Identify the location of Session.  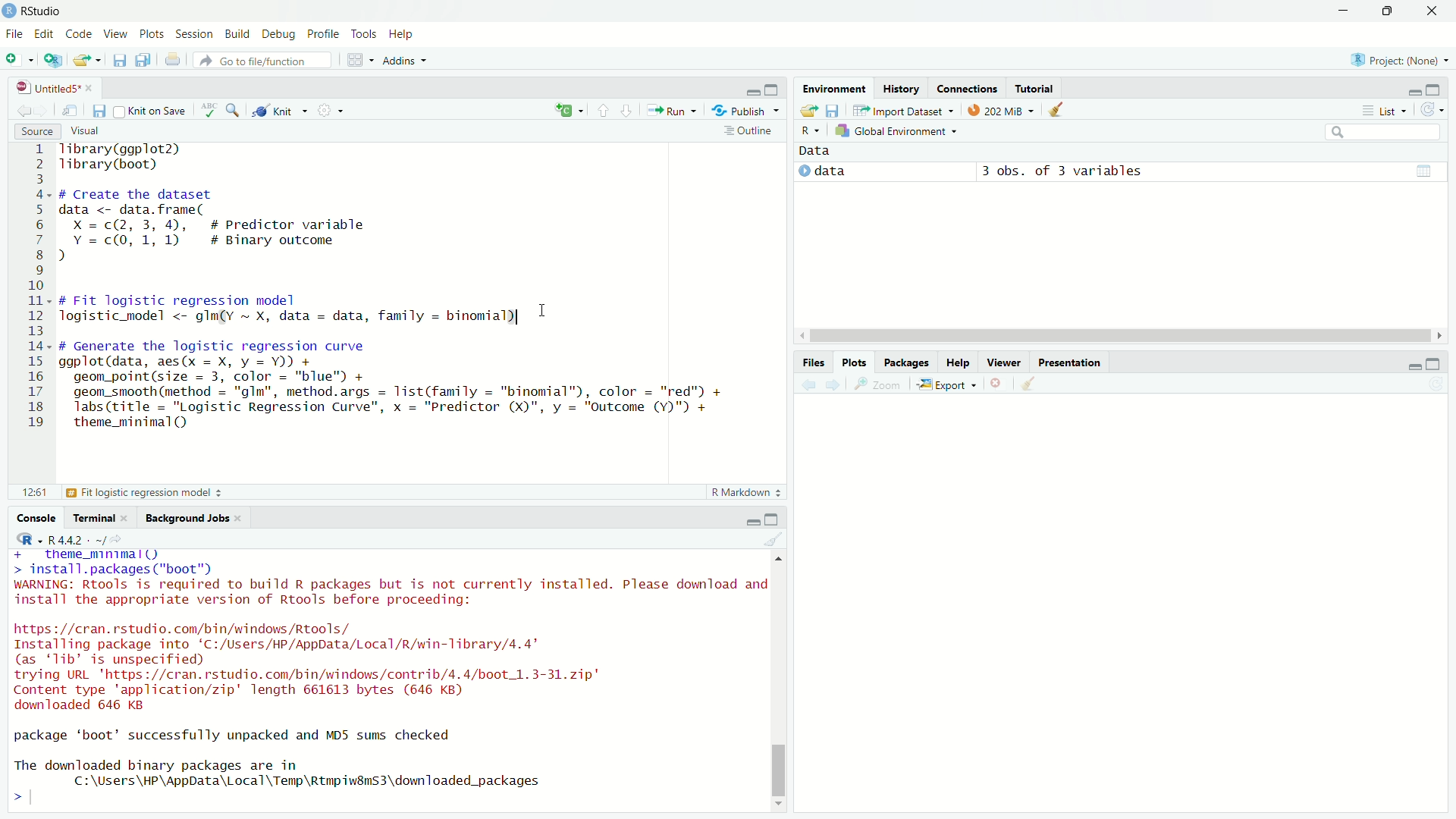
(195, 34).